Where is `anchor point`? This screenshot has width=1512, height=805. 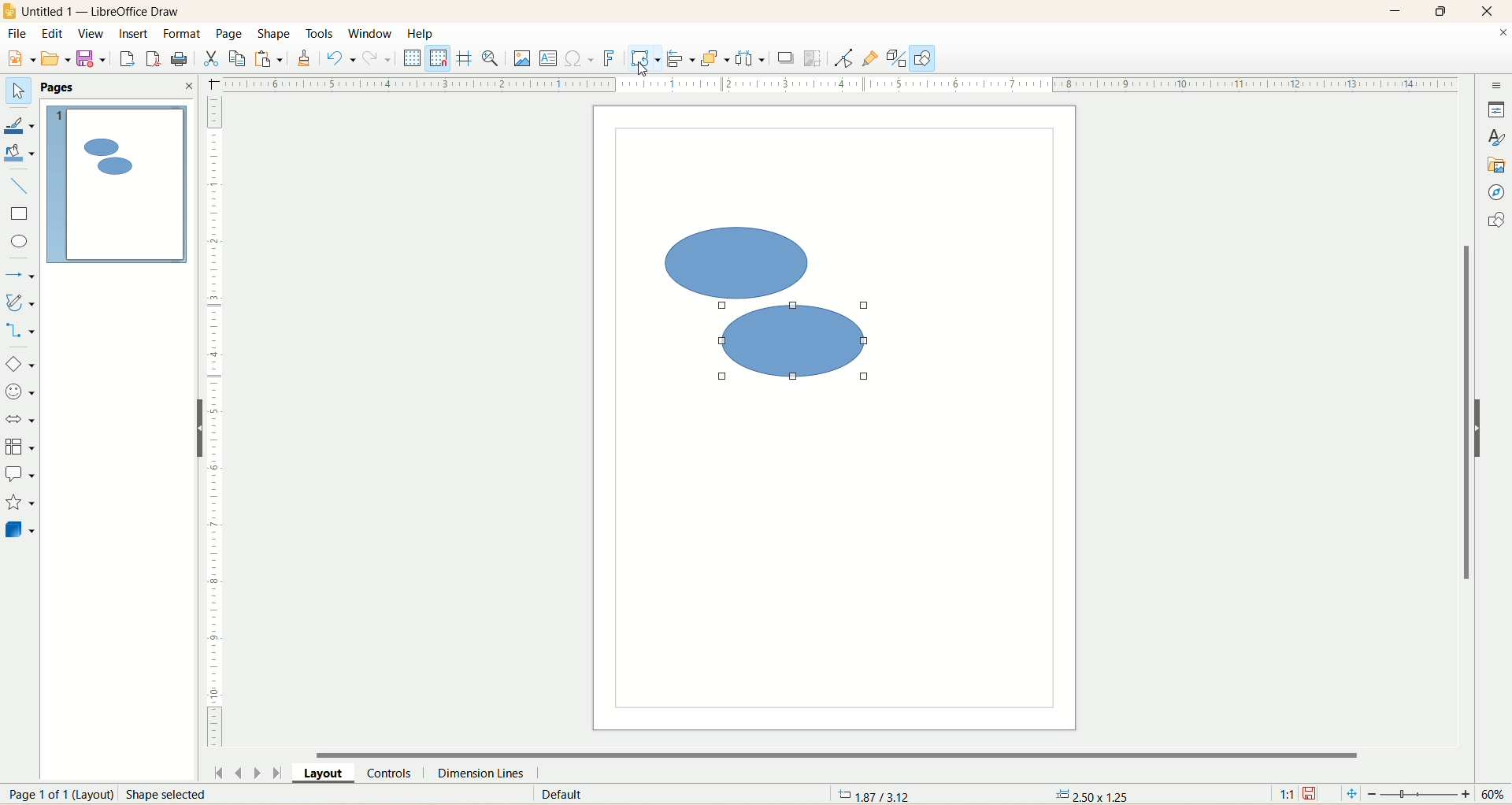
anchor point is located at coordinates (1089, 796).